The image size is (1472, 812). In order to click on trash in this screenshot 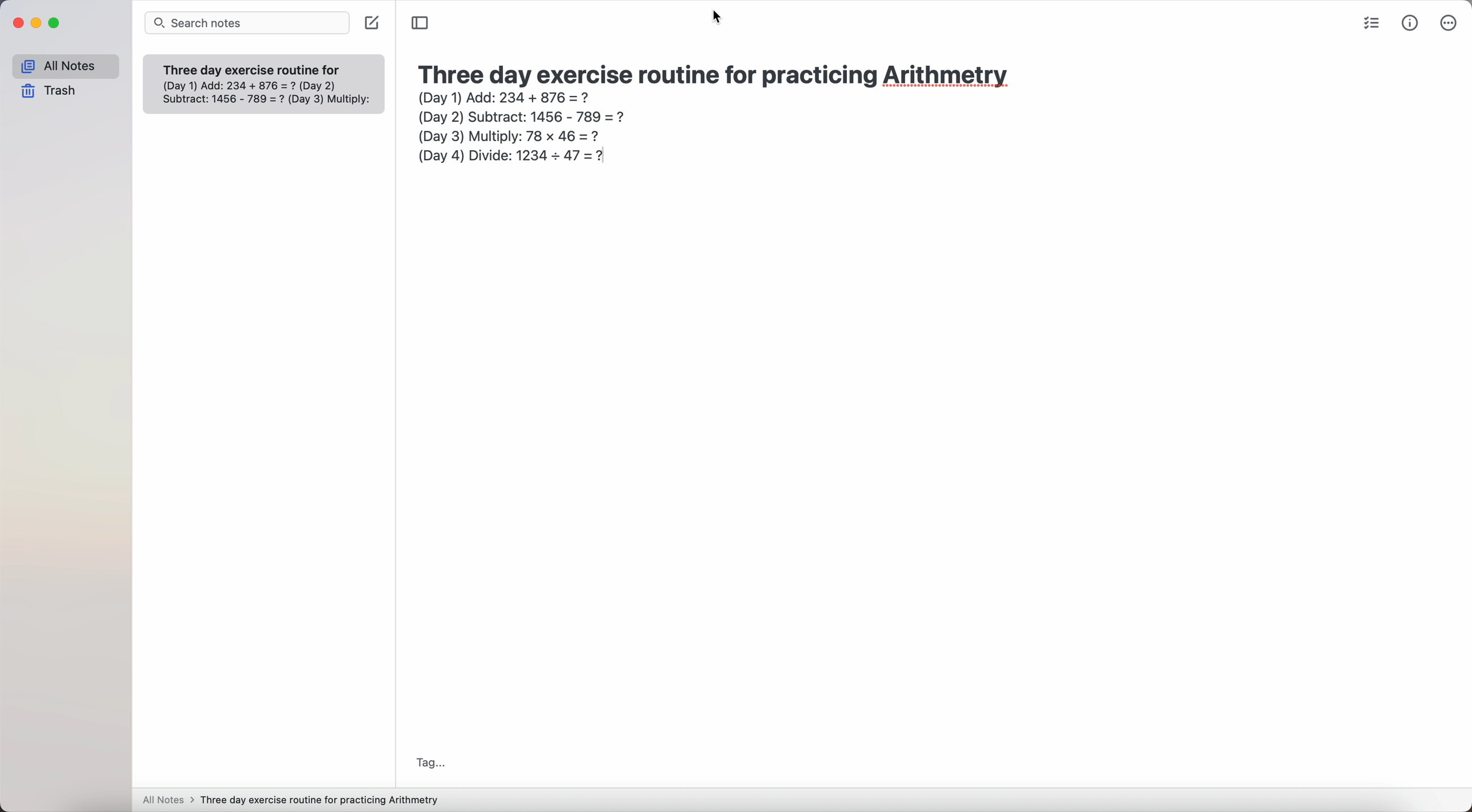, I will do `click(53, 90)`.